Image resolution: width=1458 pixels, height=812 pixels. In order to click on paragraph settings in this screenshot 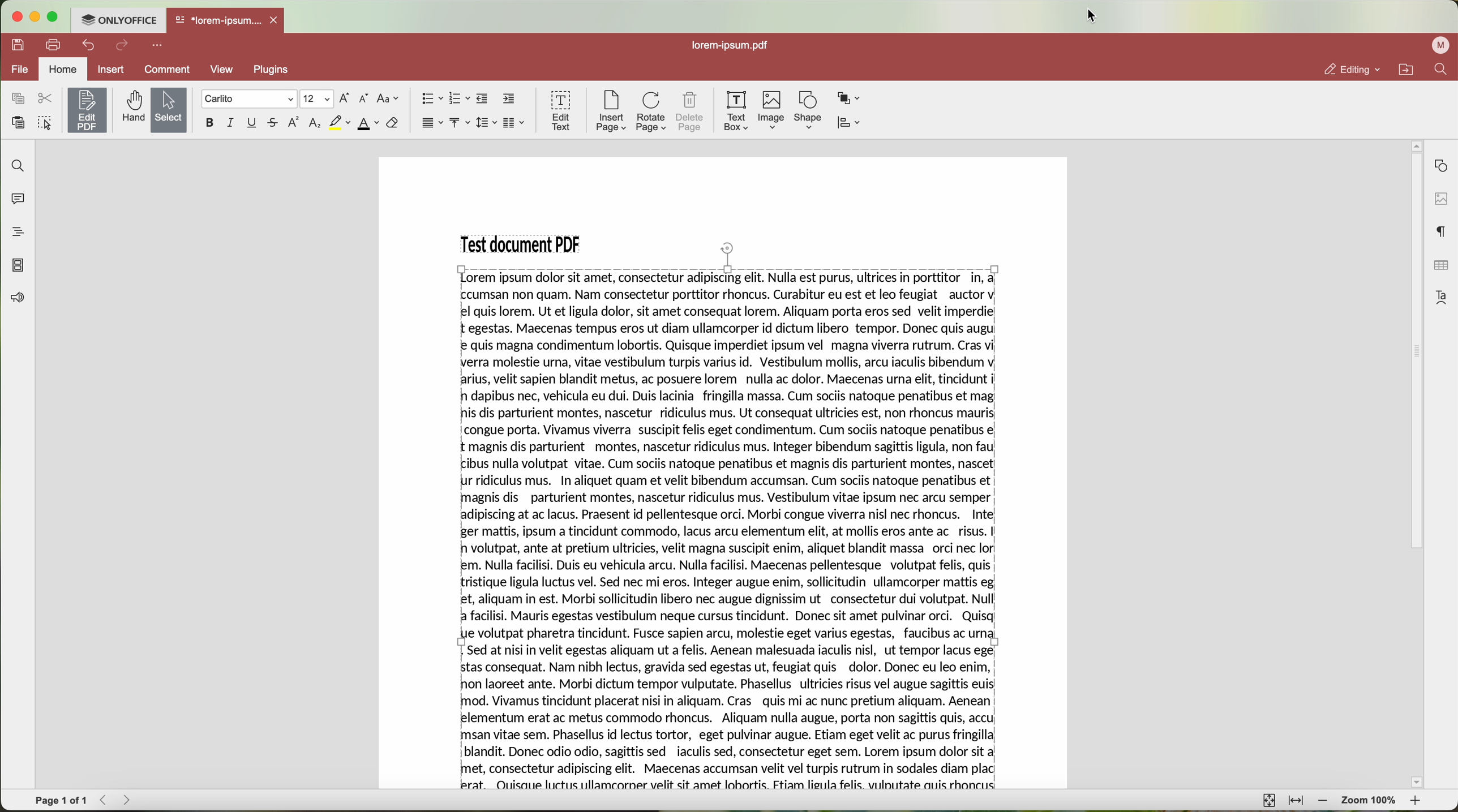, I will do `click(1442, 231)`.